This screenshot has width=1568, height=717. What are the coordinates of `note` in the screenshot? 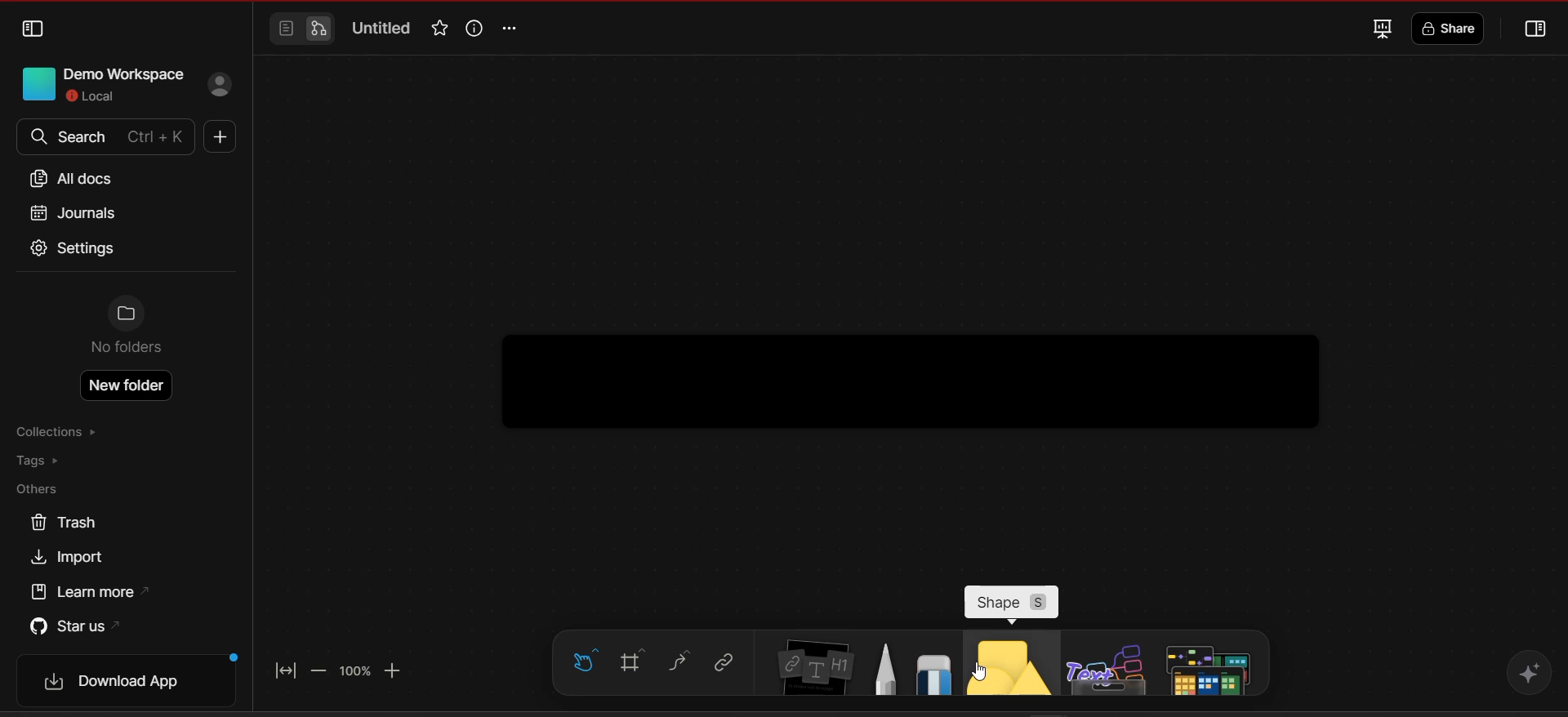 It's located at (817, 663).